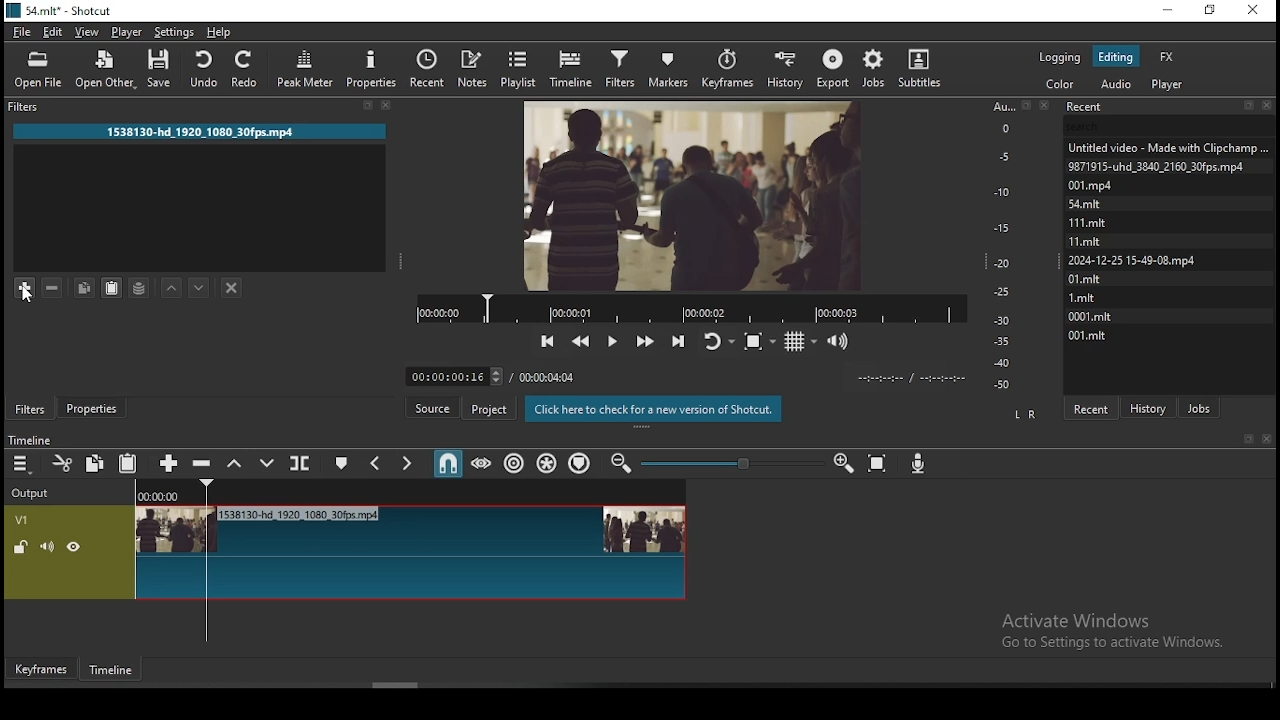  What do you see at coordinates (92, 408) in the screenshot?
I see `properties` at bounding box center [92, 408].